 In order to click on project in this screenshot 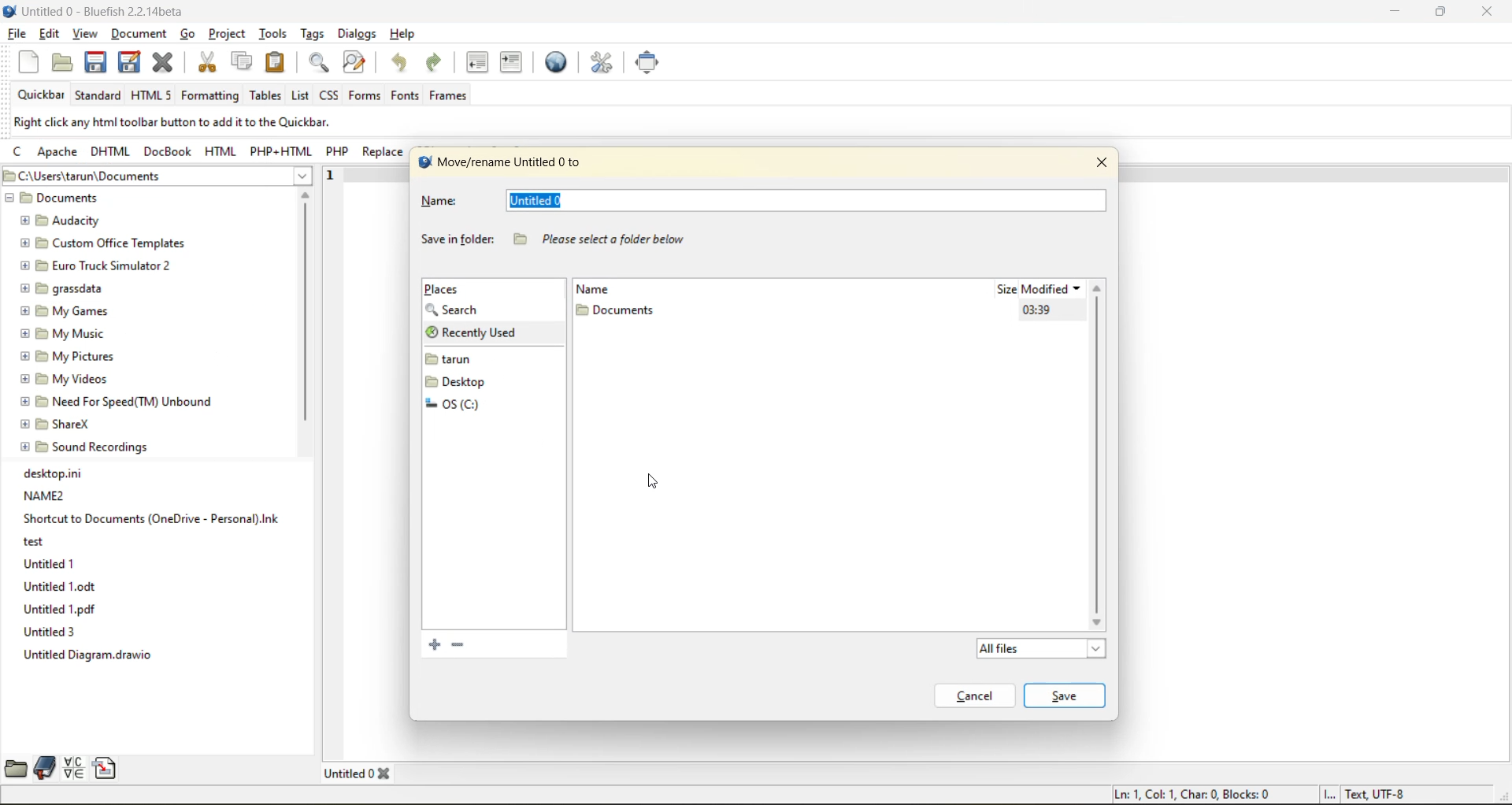, I will do `click(230, 35)`.